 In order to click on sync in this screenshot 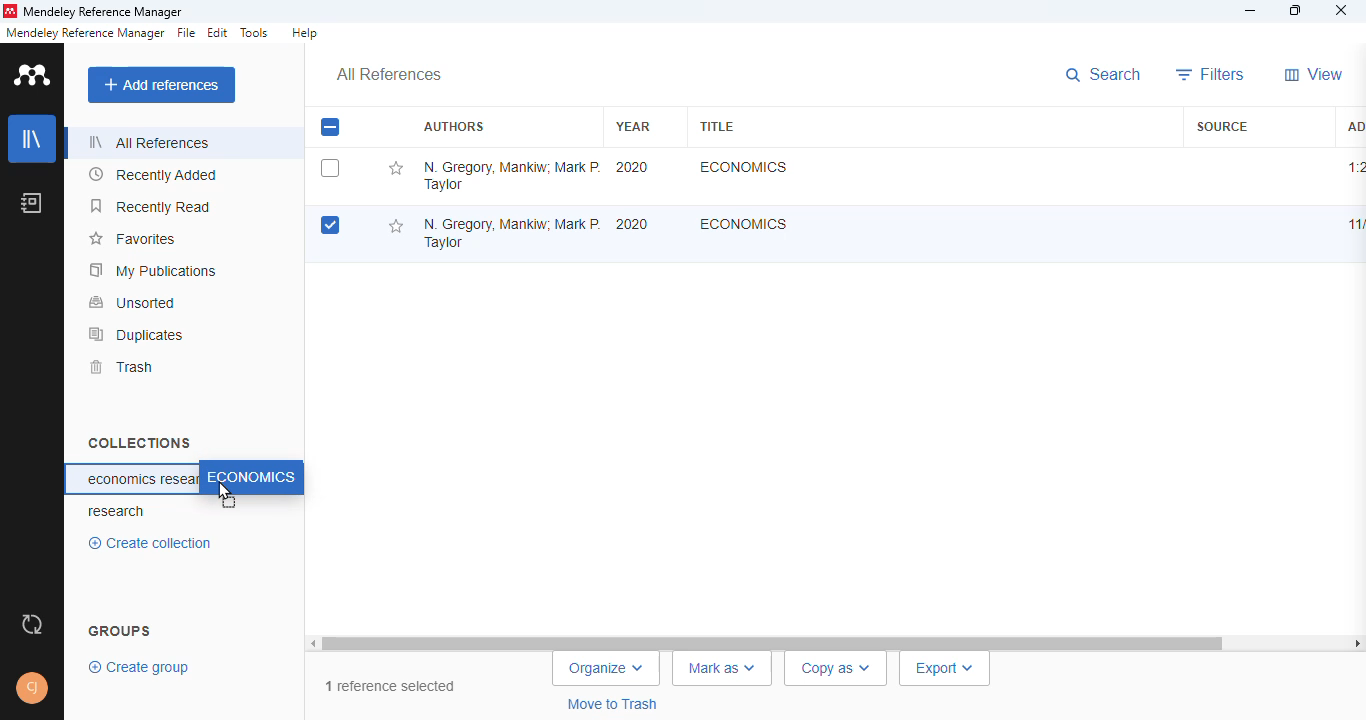, I will do `click(32, 625)`.